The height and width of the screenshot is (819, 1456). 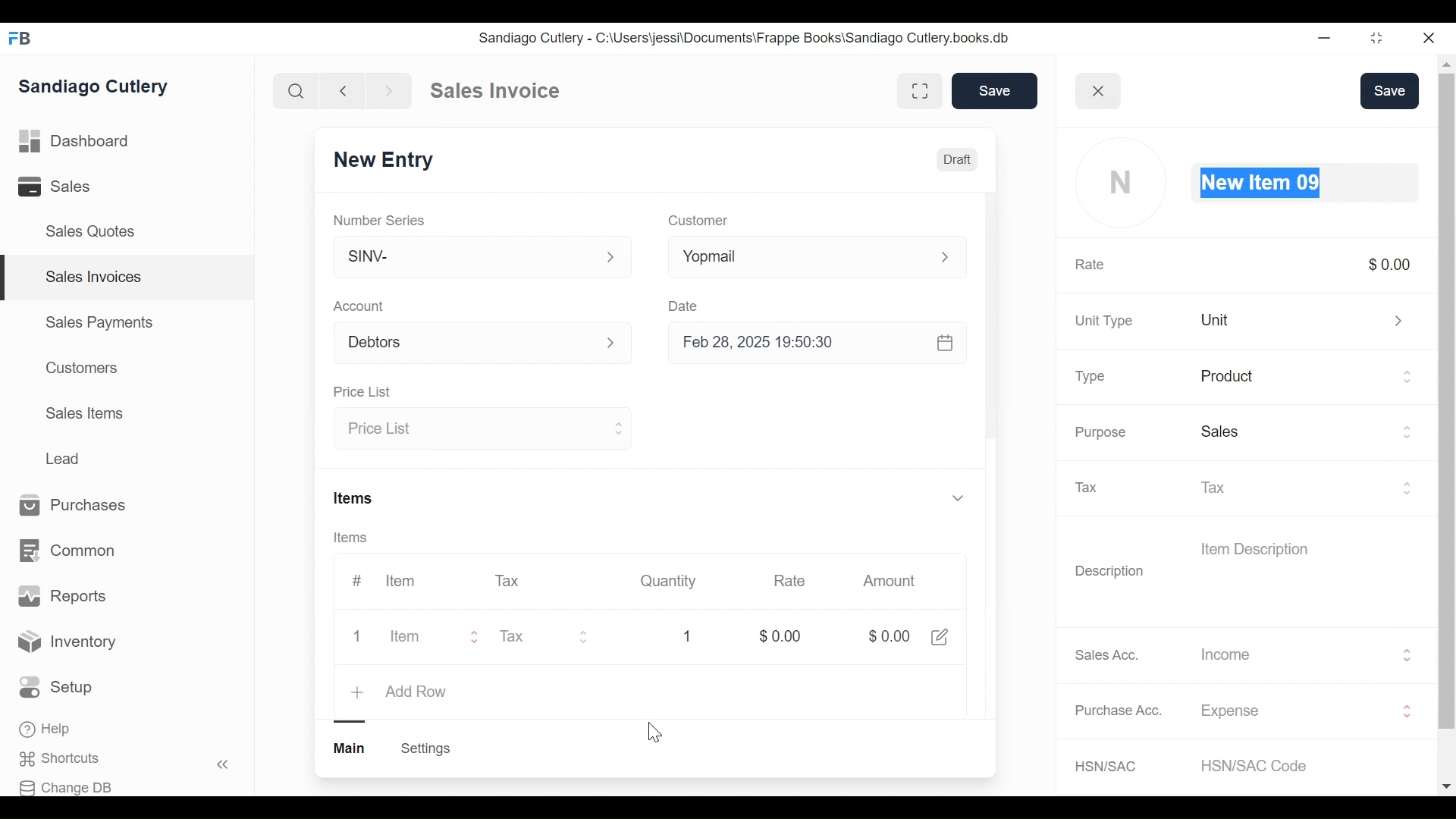 What do you see at coordinates (1093, 378) in the screenshot?
I see `Type` at bounding box center [1093, 378].